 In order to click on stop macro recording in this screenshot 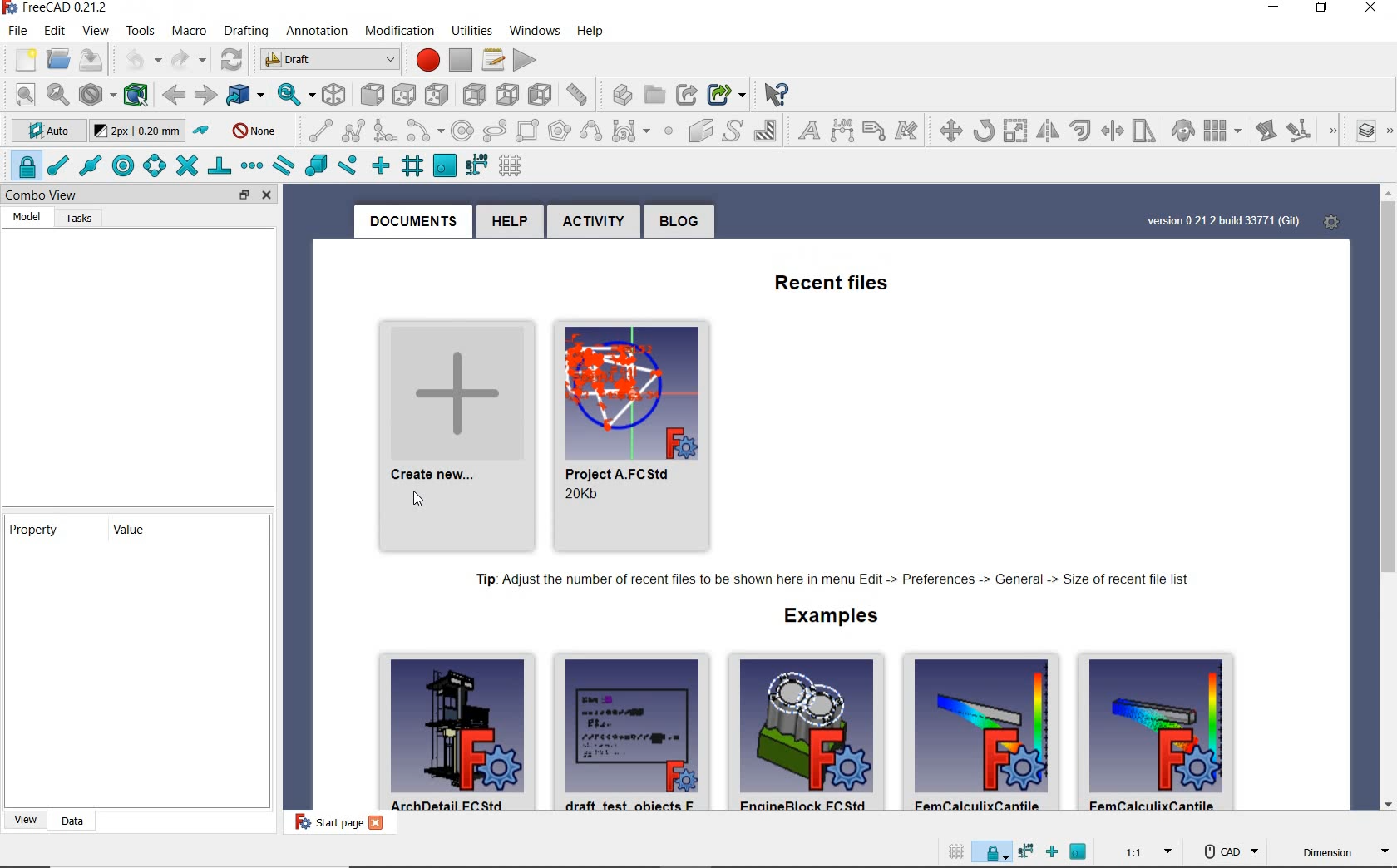, I will do `click(462, 62)`.